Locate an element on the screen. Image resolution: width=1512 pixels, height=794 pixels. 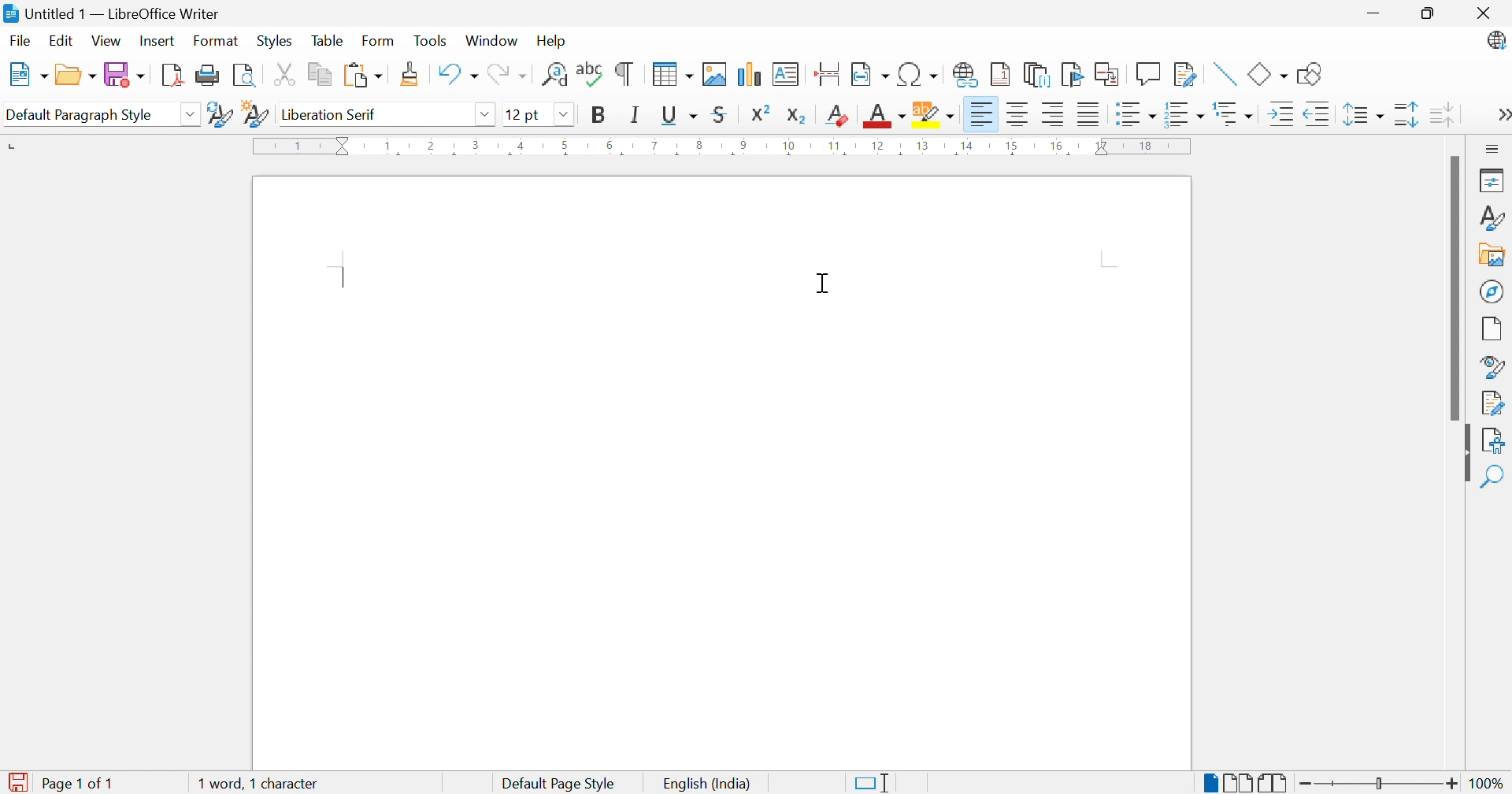
Toggle Formatting Marks is located at coordinates (625, 76).